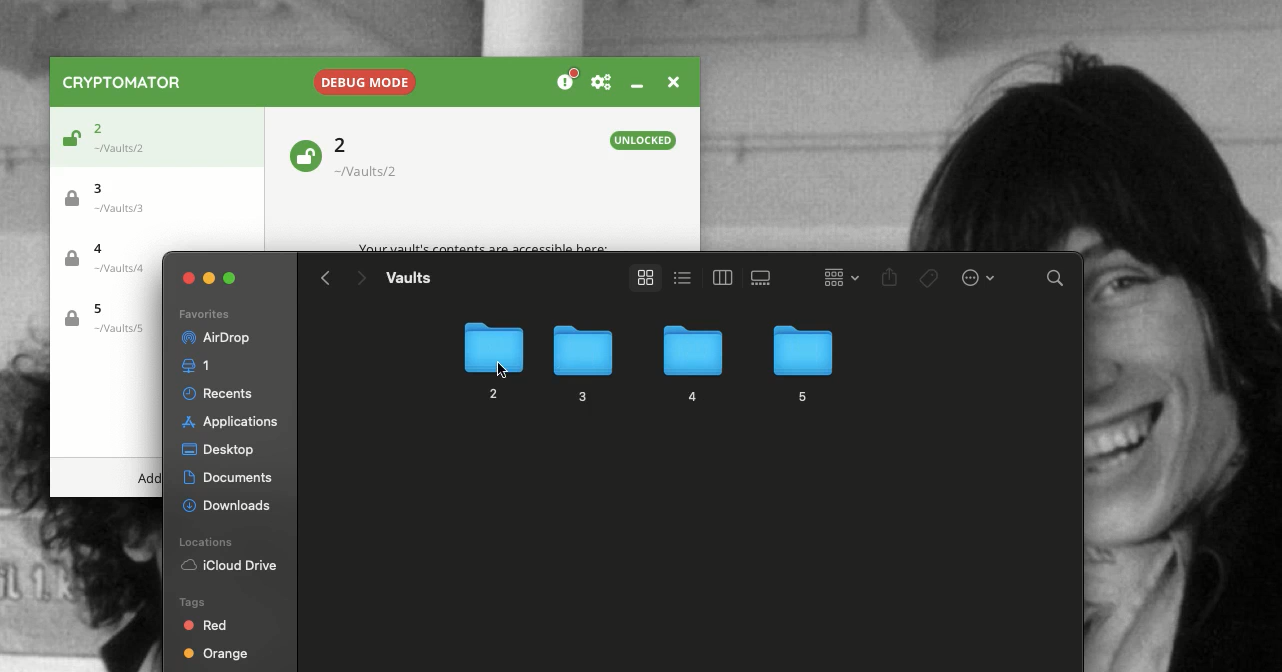 Image resolution: width=1282 pixels, height=672 pixels. I want to click on Preferences, so click(601, 83).